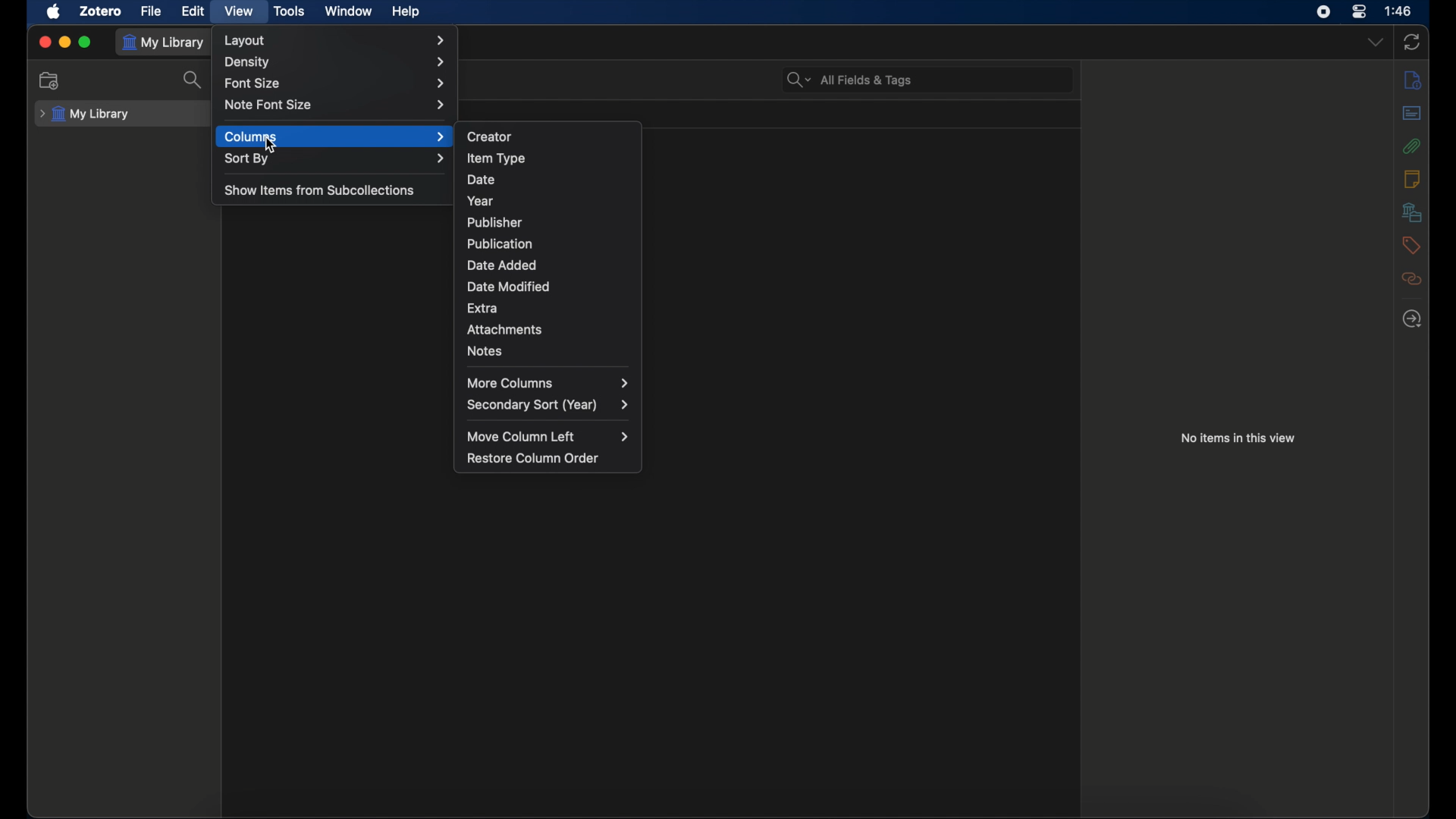 This screenshot has width=1456, height=819. What do you see at coordinates (481, 201) in the screenshot?
I see `year` at bounding box center [481, 201].